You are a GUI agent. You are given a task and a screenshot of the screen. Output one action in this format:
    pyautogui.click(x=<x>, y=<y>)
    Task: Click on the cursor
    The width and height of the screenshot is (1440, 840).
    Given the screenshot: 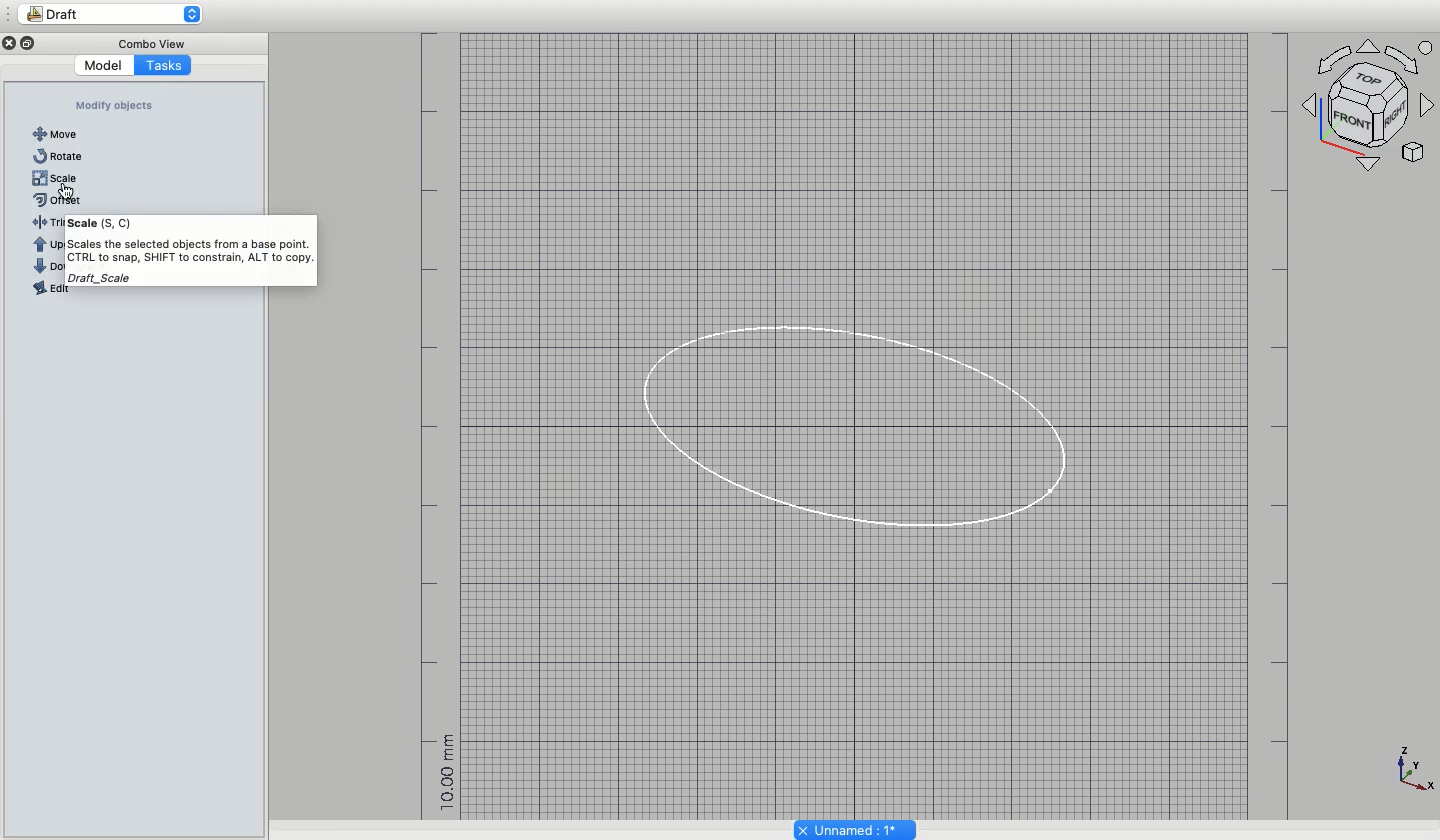 What is the action you would take?
    pyautogui.click(x=68, y=191)
    